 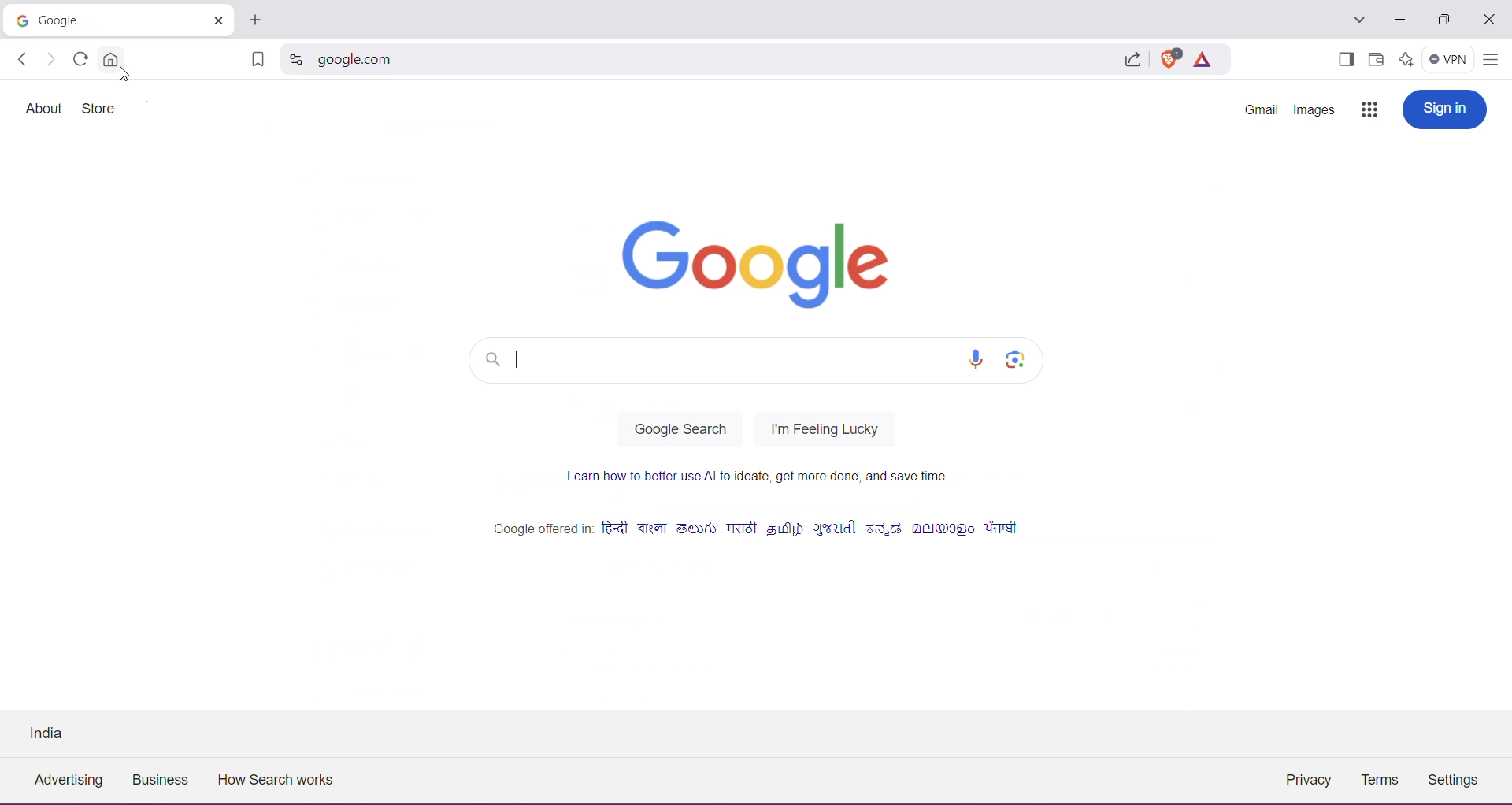 What do you see at coordinates (97, 20) in the screenshot?
I see `New Homepage set - Google (google.com)` at bounding box center [97, 20].